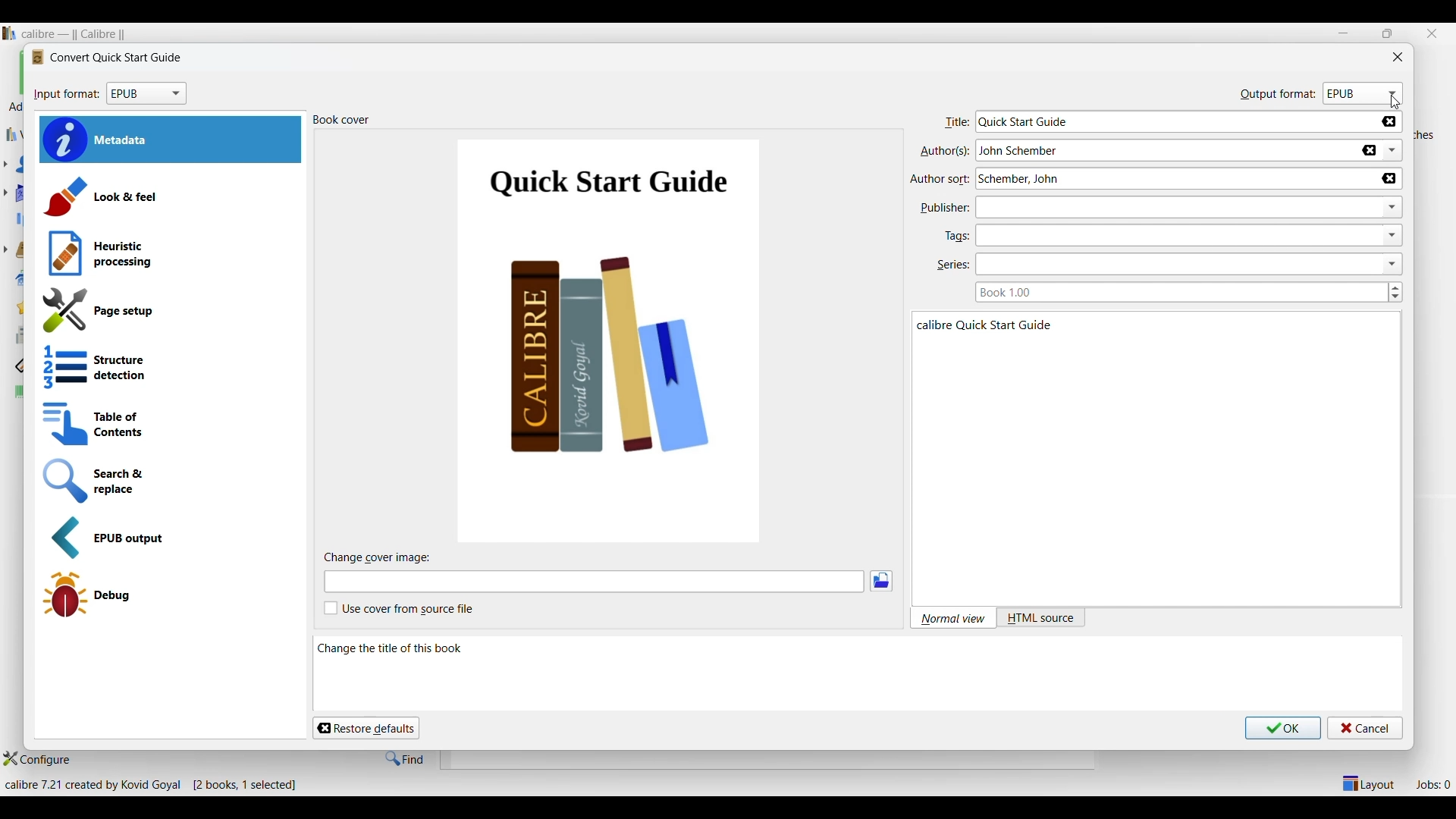  I want to click on Toggle cover from source file, so click(399, 608).